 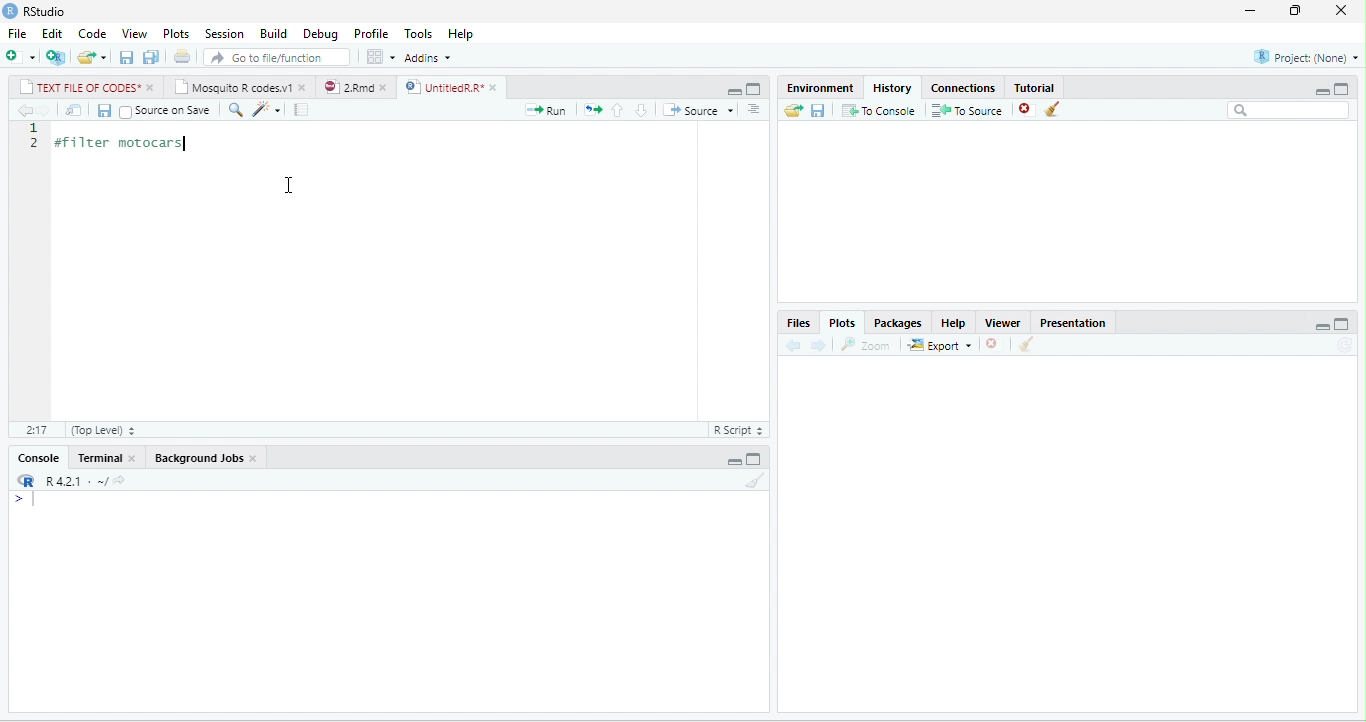 What do you see at coordinates (1345, 345) in the screenshot?
I see `refresh` at bounding box center [1345, 345].